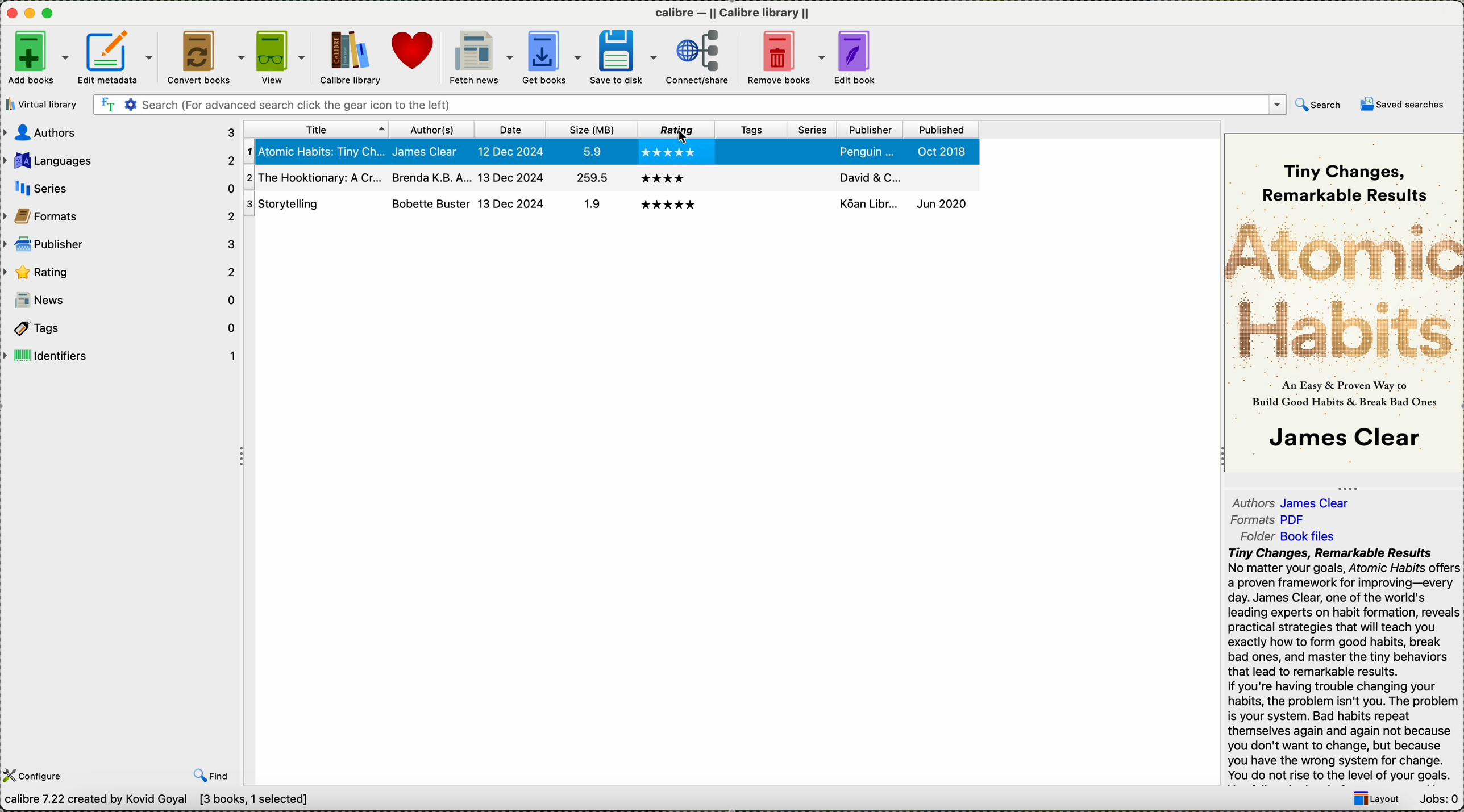  I want to click on penguin ..., so click(868, 151).